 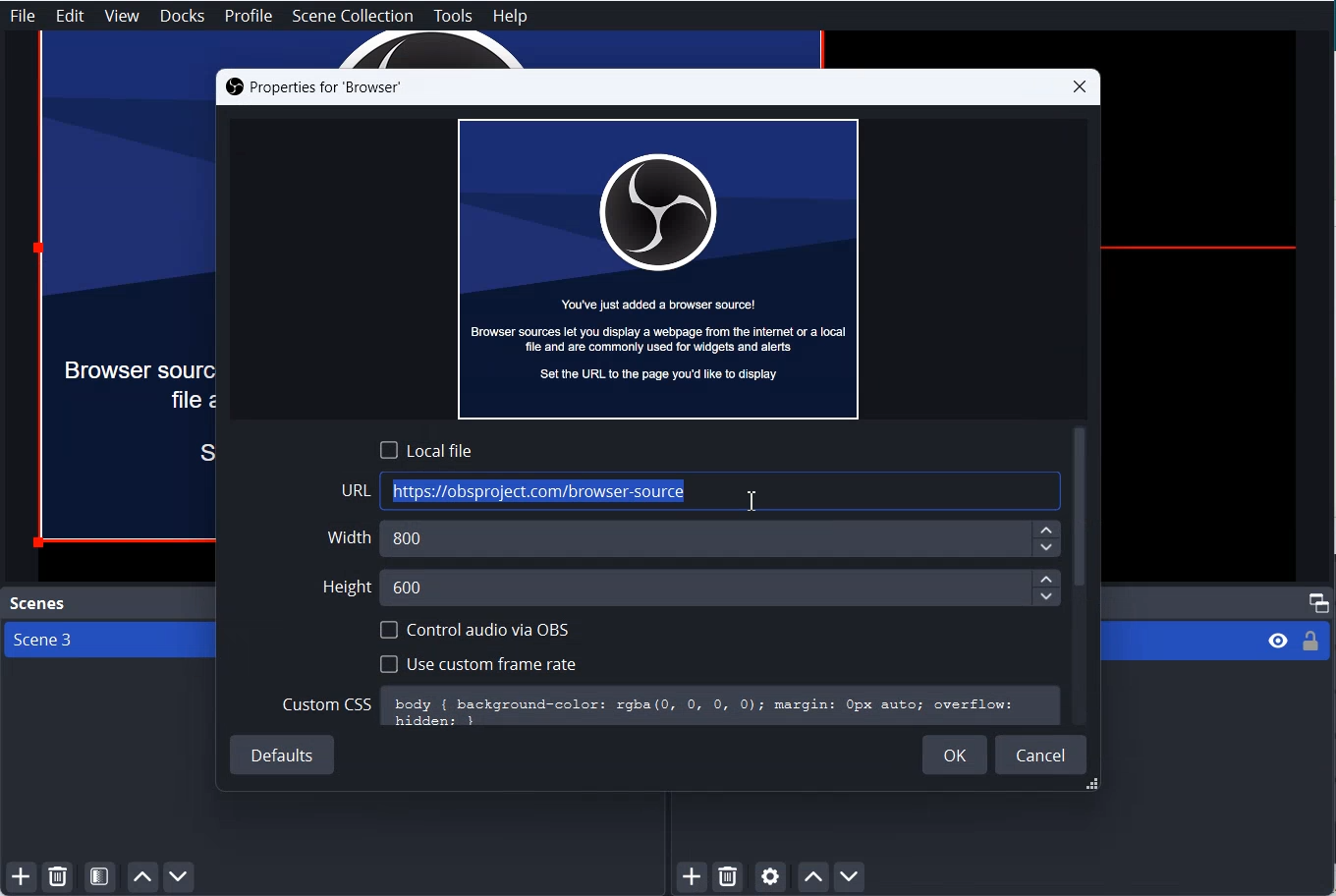 What do you see at coordinates (100, 877) in the screenshot?
I see `Open Scene filter` at bounding box center [100, 877].